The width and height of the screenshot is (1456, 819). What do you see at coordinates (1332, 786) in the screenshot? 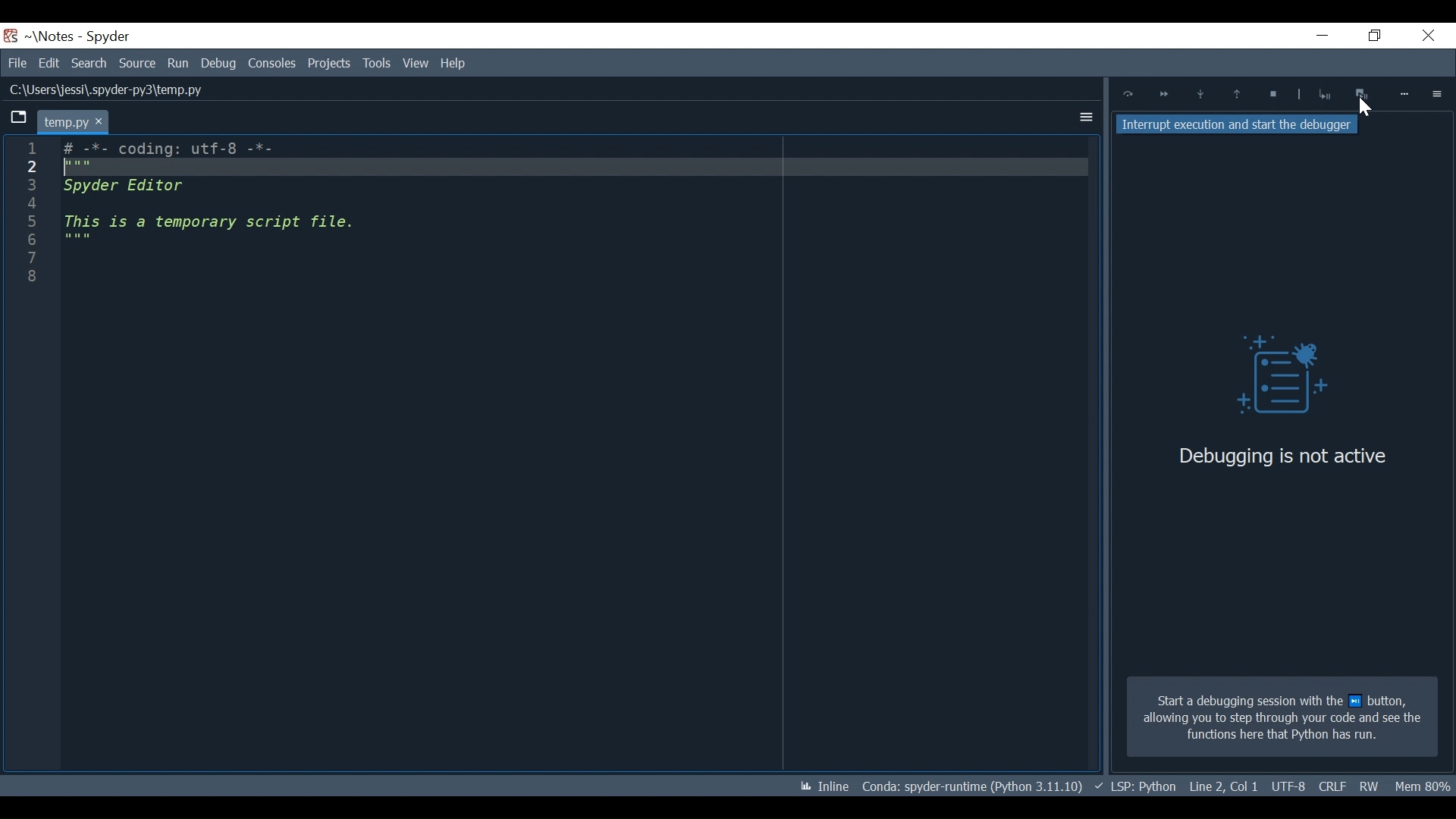
I see `File Encoding` at bounding box center [1332, 786].